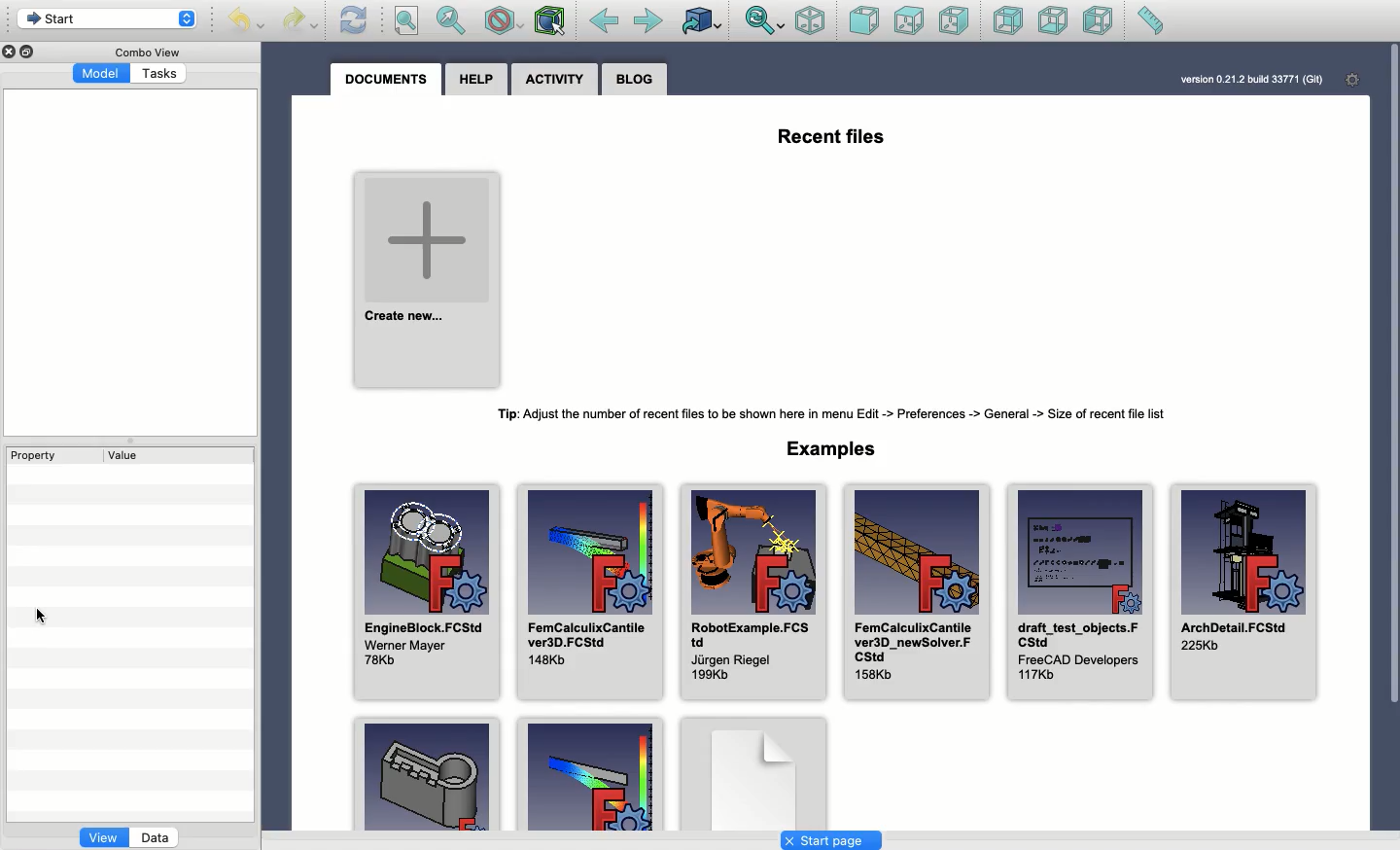 The width and height of the screenshot is (1400, 850). Describe the element at coordinates (651, 21) in the screenshot. I see `Forward ` at that location.